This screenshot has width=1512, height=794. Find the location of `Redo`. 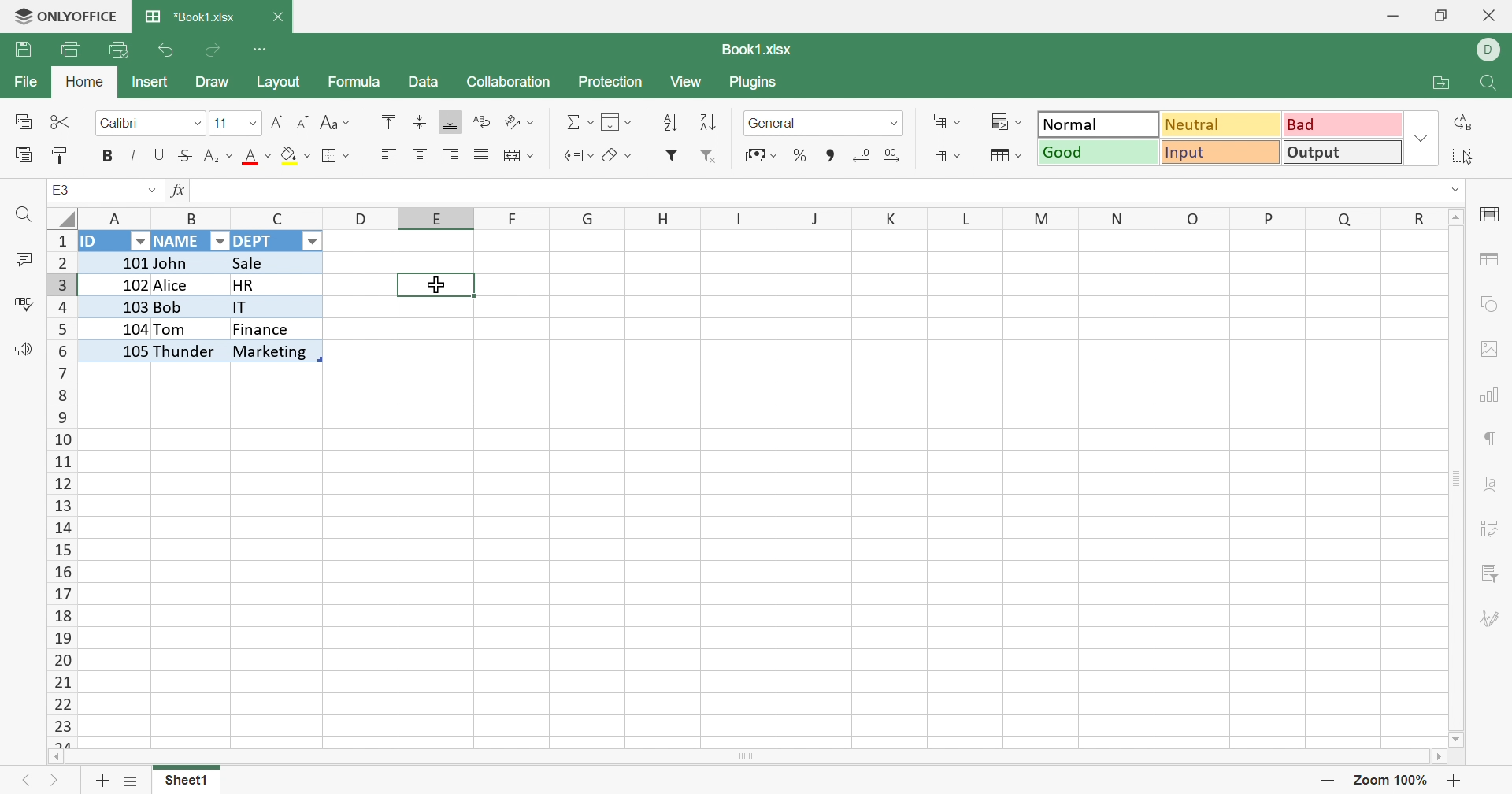

Redo is located at coordinates (217, 48).